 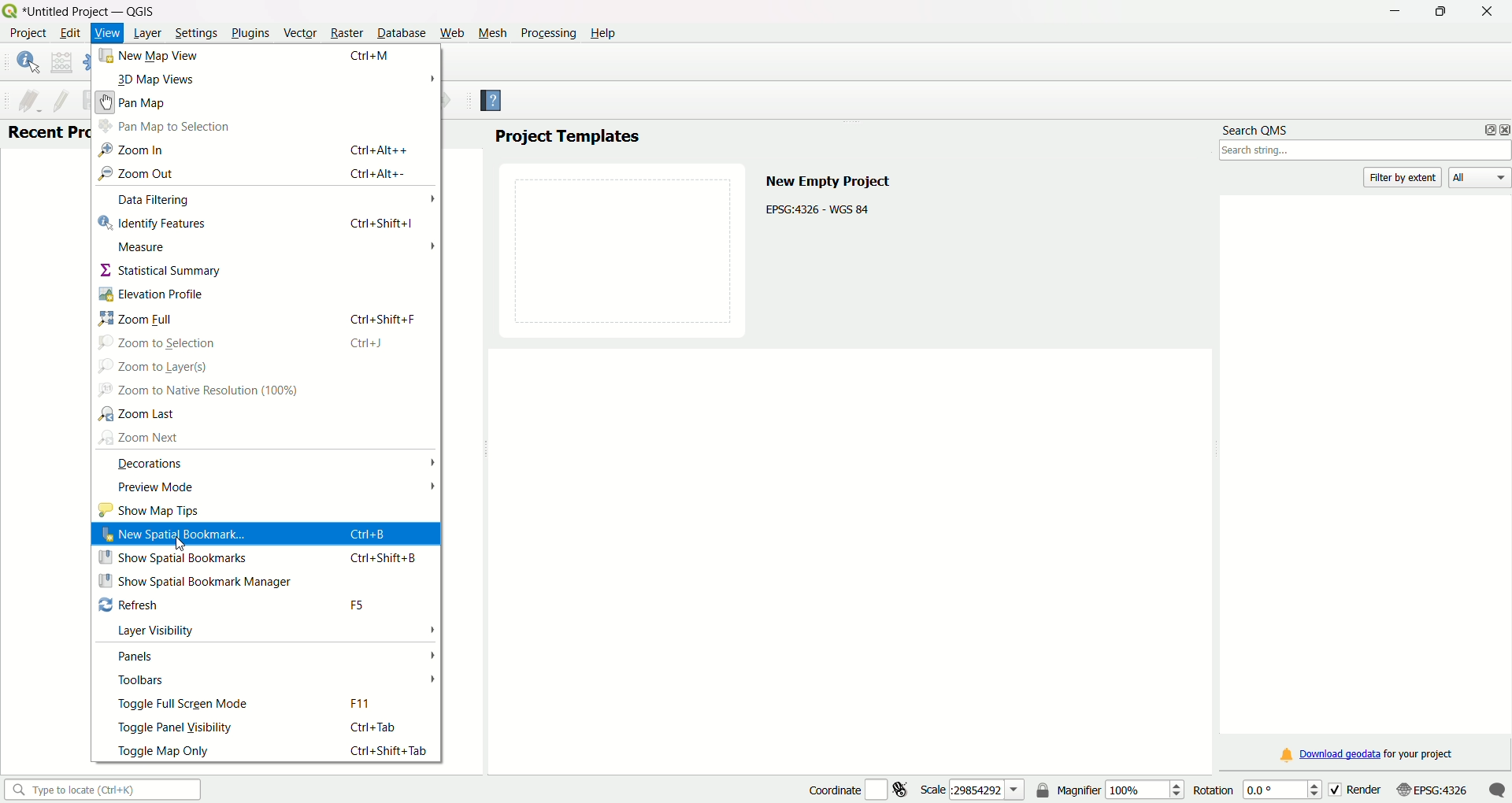 I want to click on message, so click(x=1497, y=789).